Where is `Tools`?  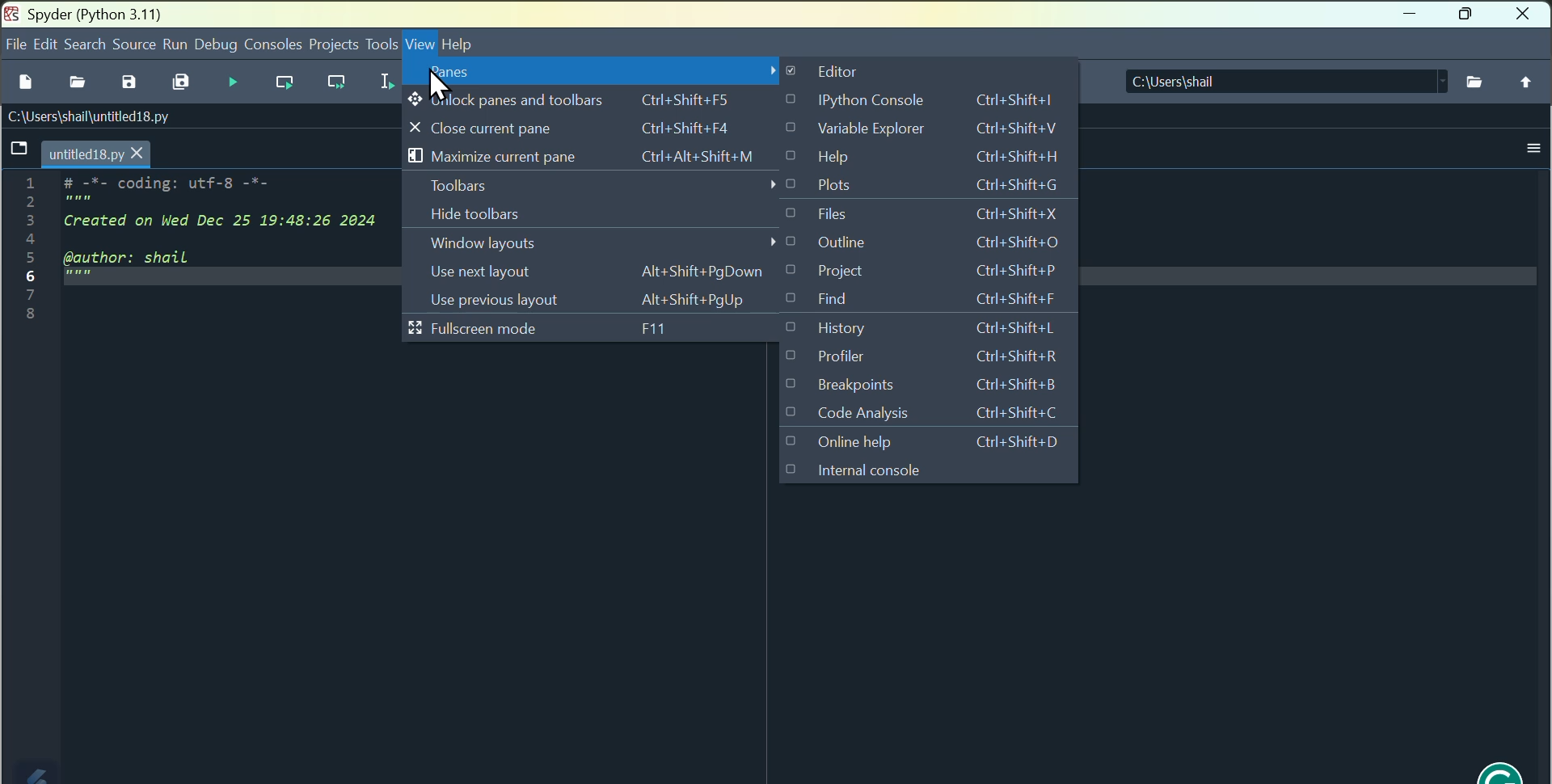
Tools is located at coordinates (381, 44).